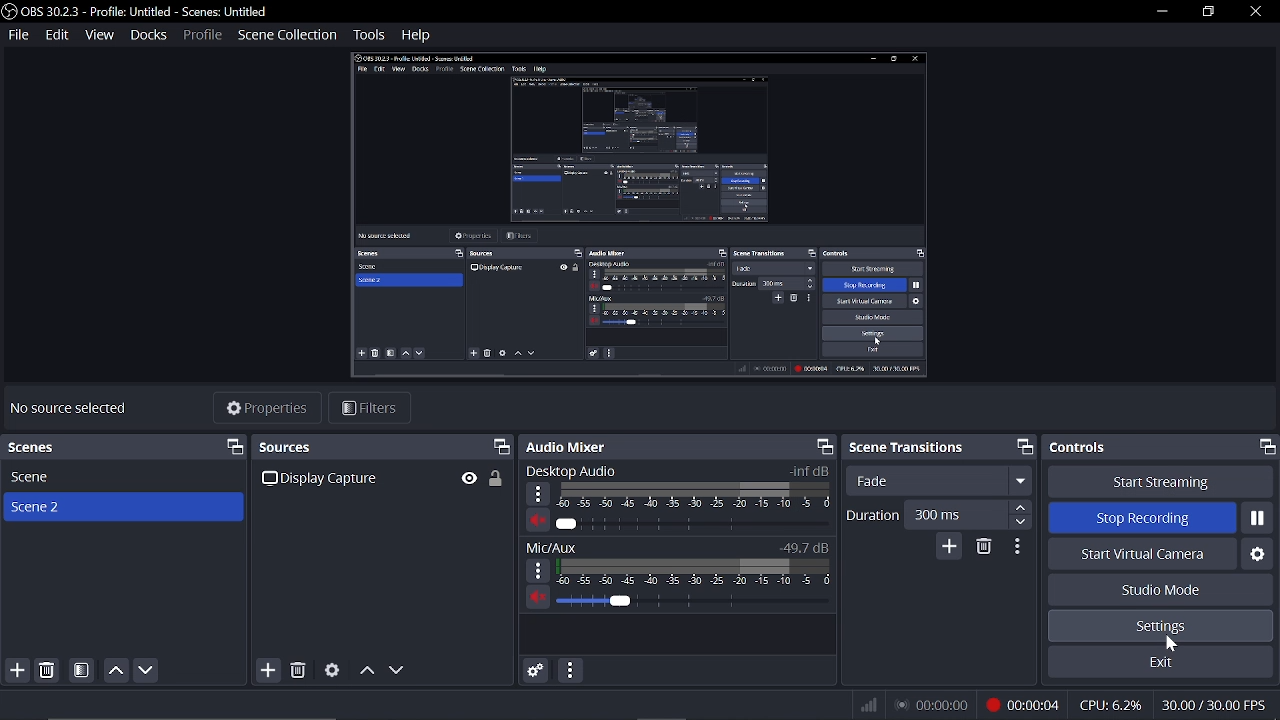 The width and height of the screenshot is (1280, 720). I want to click on Mic\Aux, so click(556, 546).